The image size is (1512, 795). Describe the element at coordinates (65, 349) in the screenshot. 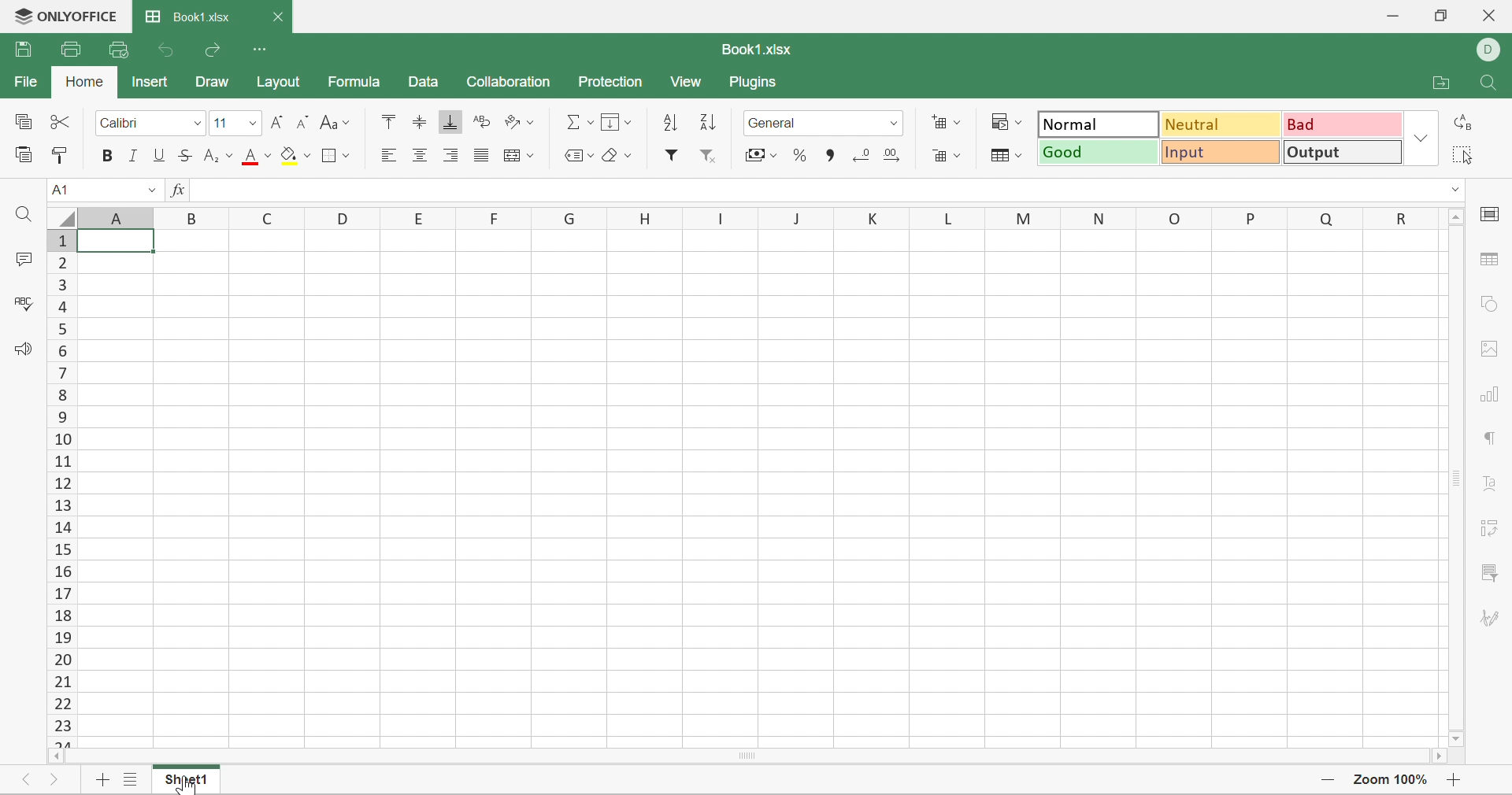

I see `6` at that location.